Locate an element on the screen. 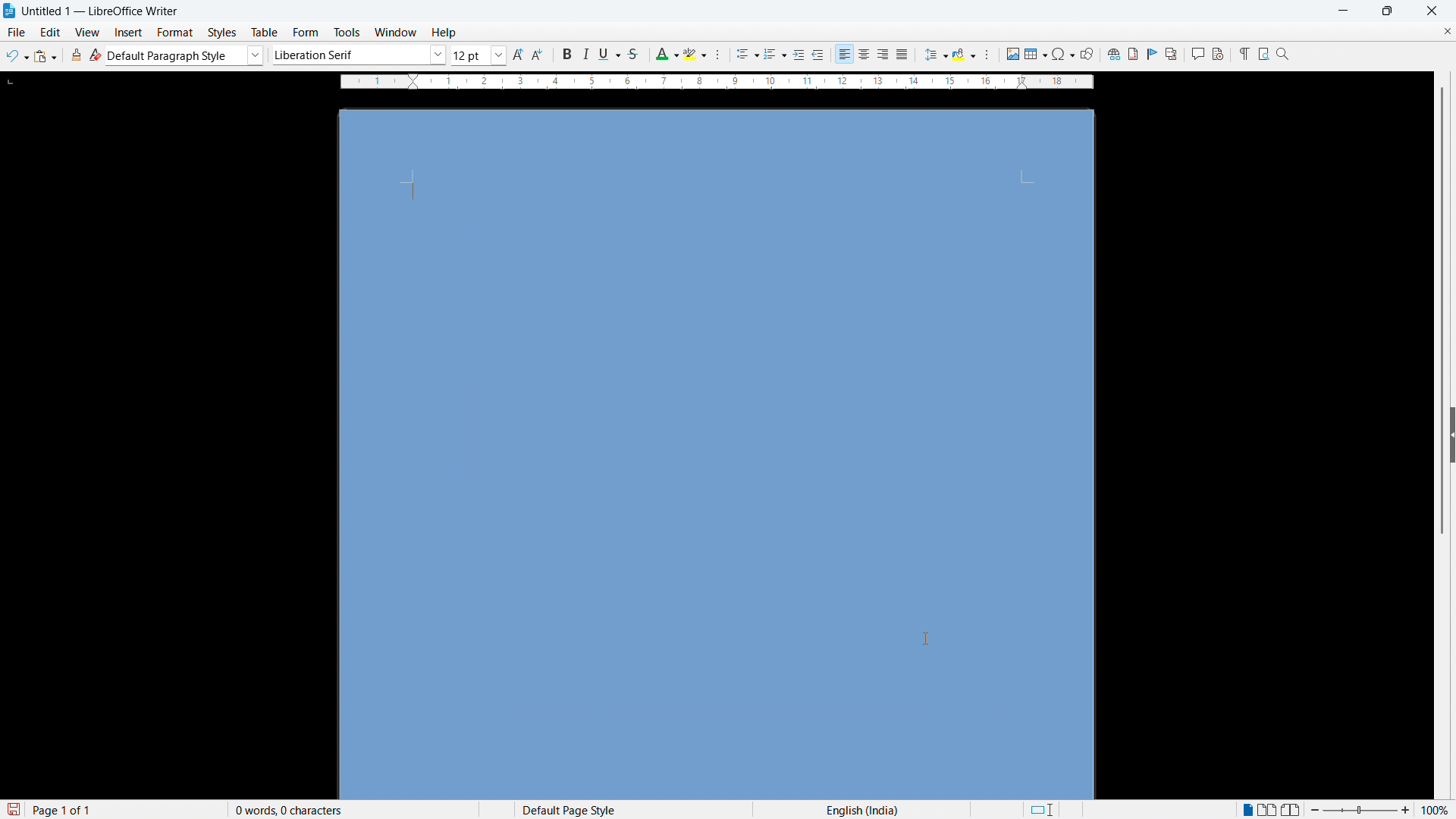  Zoom slider  is located at coordinates (1360, 809).